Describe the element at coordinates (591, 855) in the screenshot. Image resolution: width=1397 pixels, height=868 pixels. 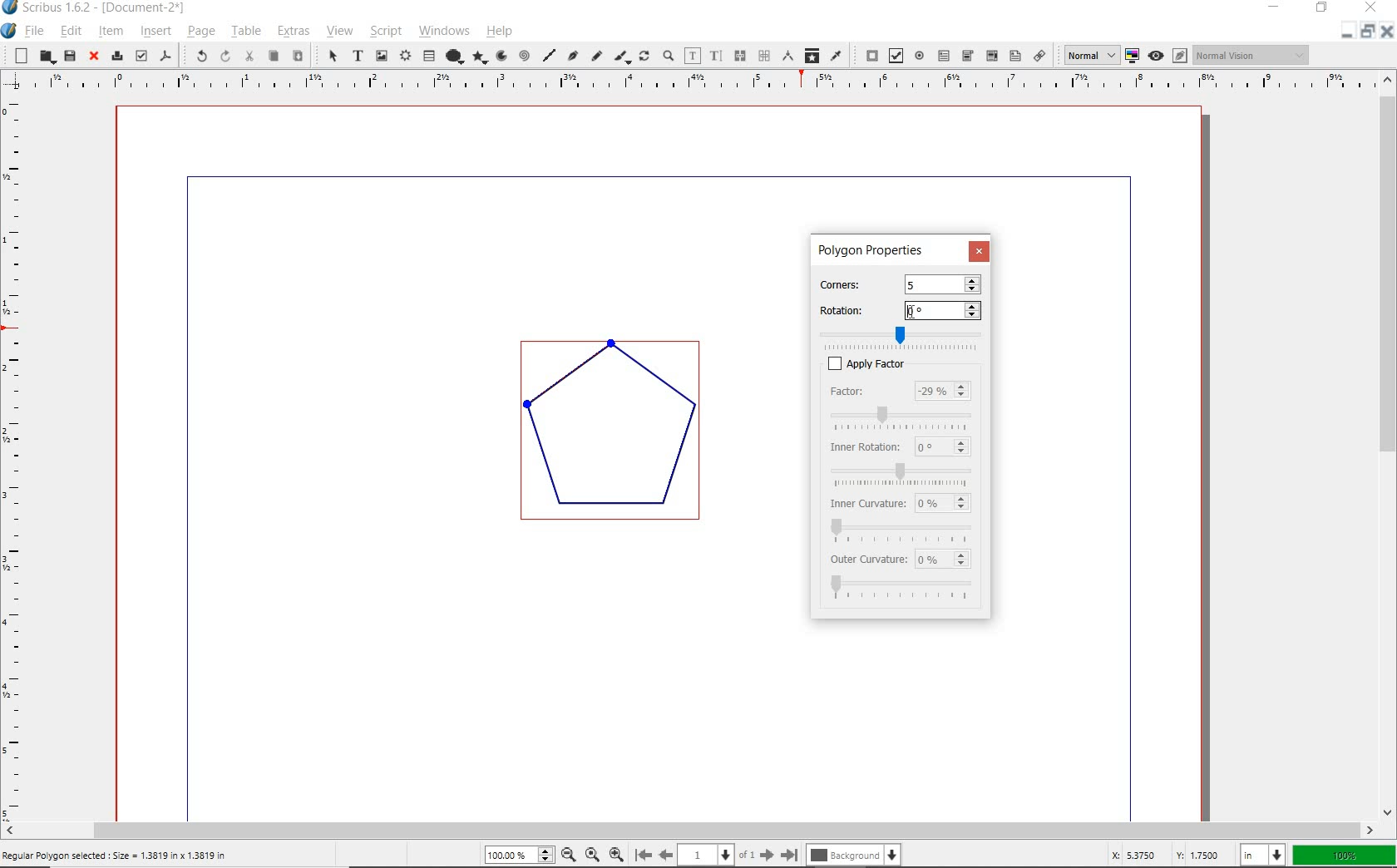
I see `zoom to` at that location.